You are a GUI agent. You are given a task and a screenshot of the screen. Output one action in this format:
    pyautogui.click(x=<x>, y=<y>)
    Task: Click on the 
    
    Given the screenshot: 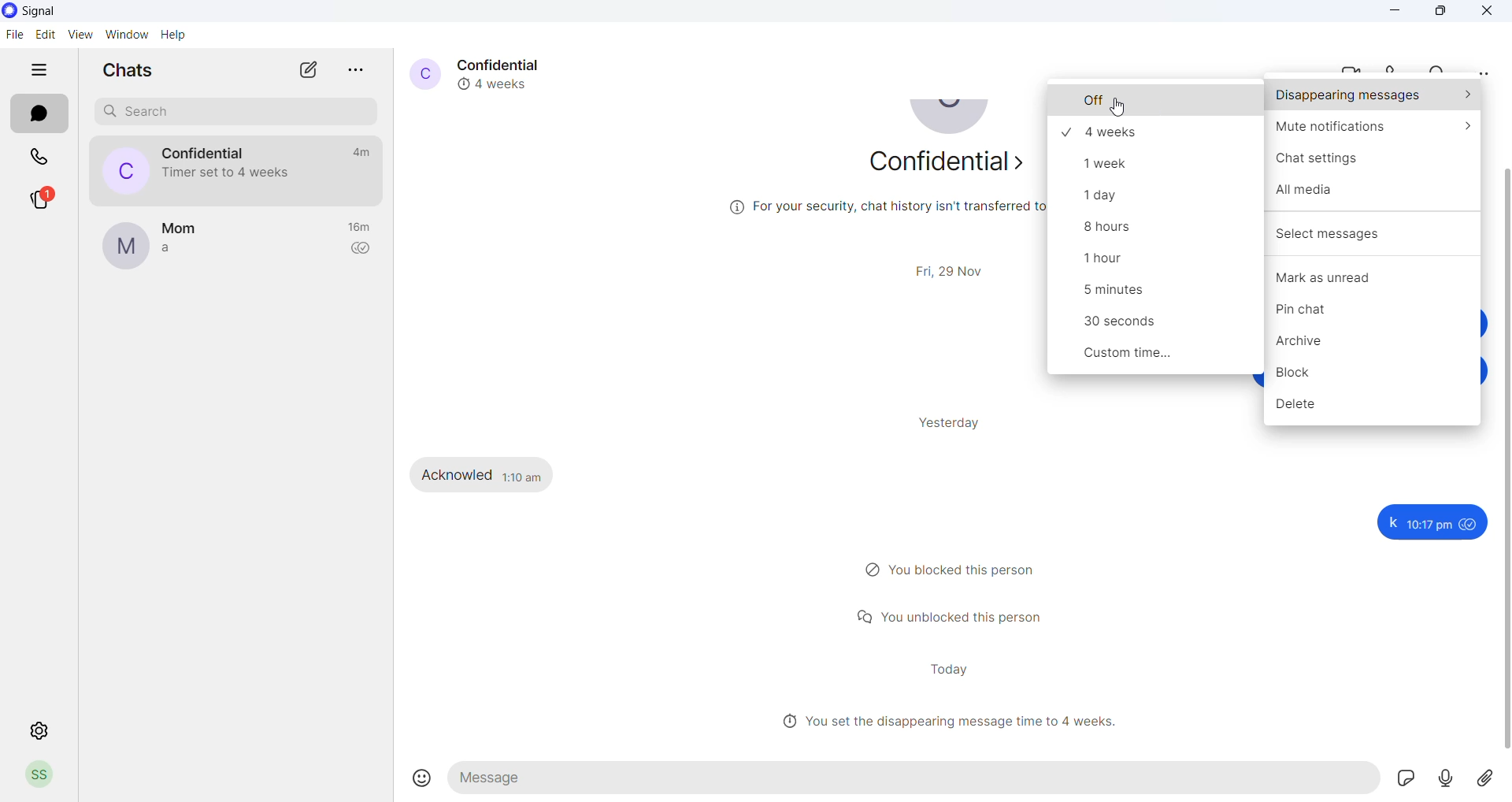 What is the action you would take?
    pyautogui.click(x=1491, y=781)
    